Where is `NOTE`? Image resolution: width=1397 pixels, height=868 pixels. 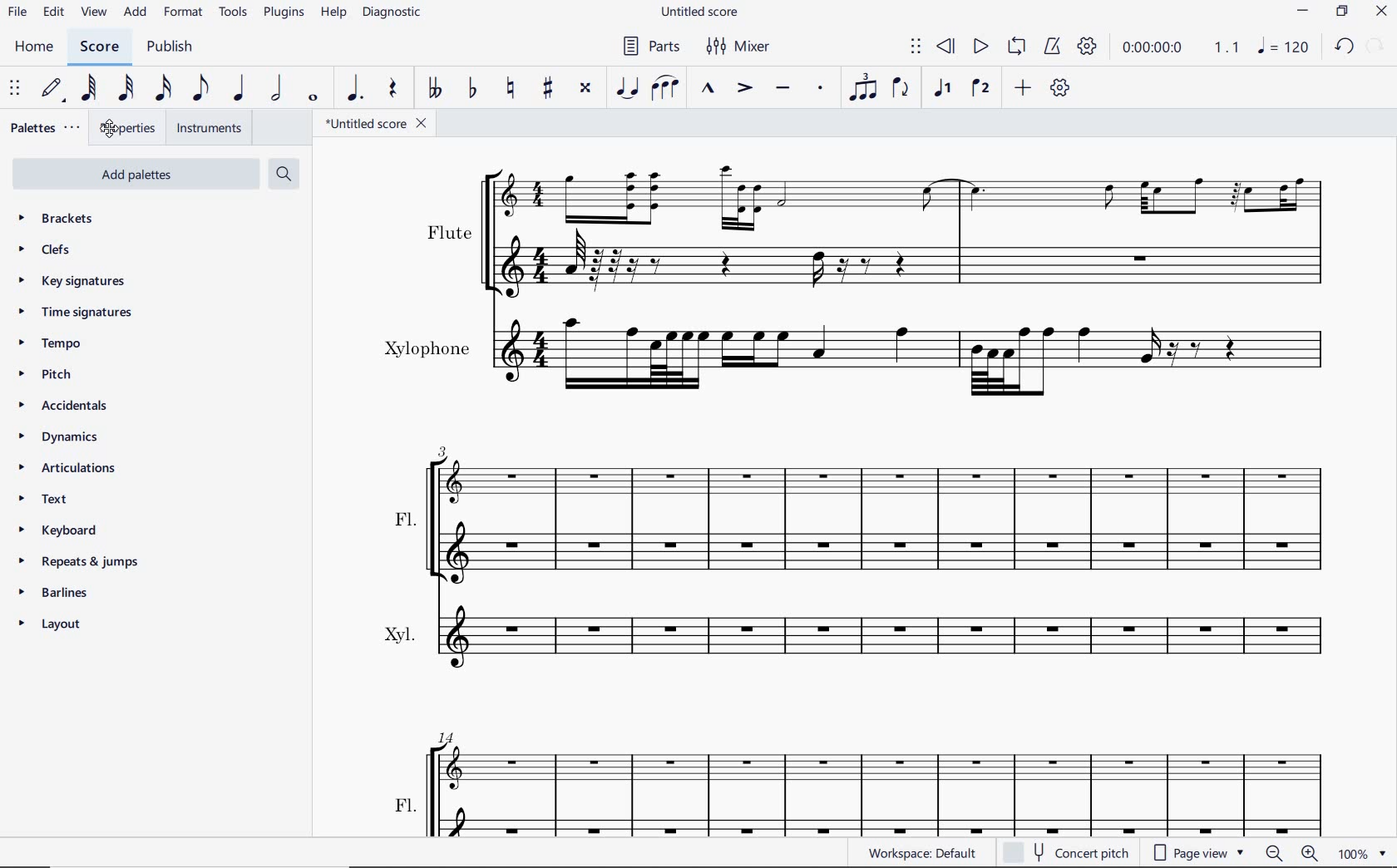 NOTE is located at coordinates (1286, 47).